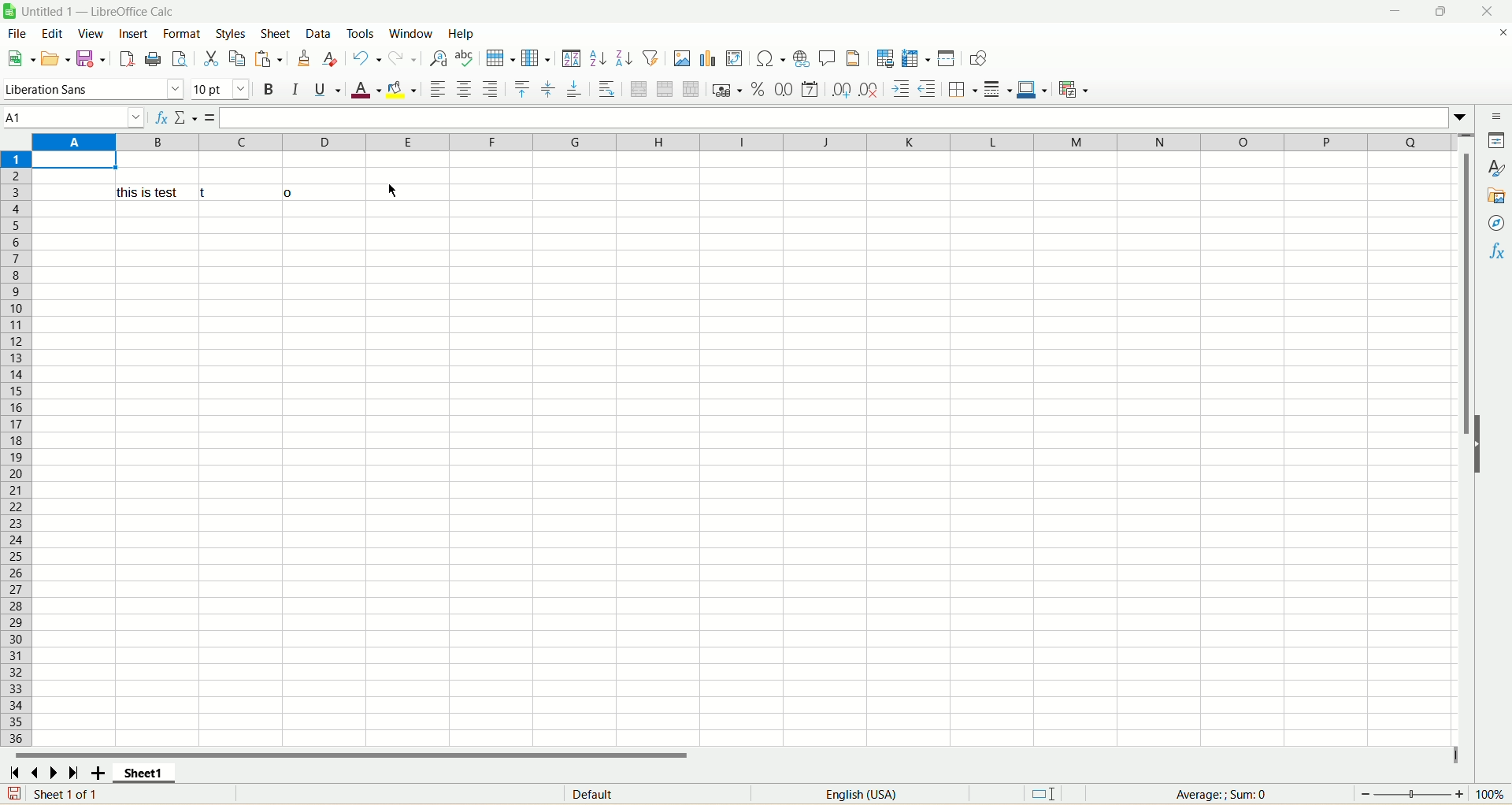 This screenshot has width=1512, height=805. What do you see at coordinates (1477, 443) in the screenshot?
I see `hide` at bounding box center [1477, 443].